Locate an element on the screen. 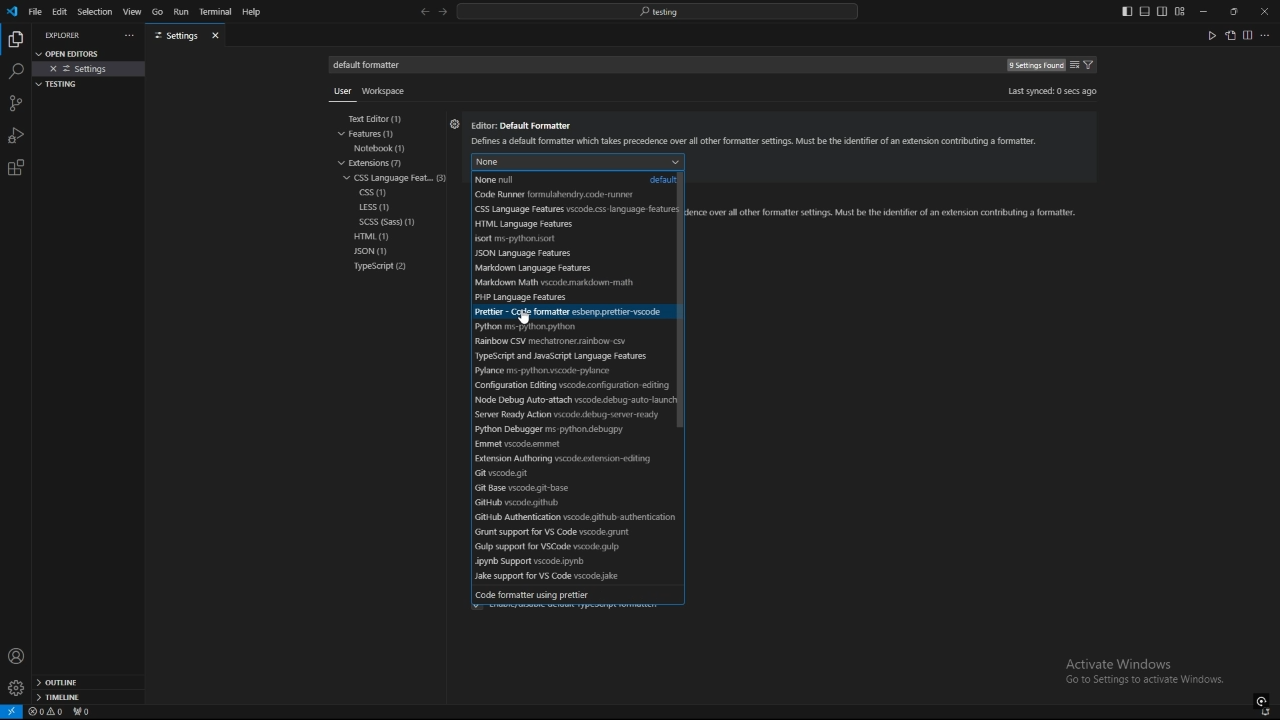 Image resolution: width=1280 pixels, height=720 pixels.  is located at coordinates (338, 95).